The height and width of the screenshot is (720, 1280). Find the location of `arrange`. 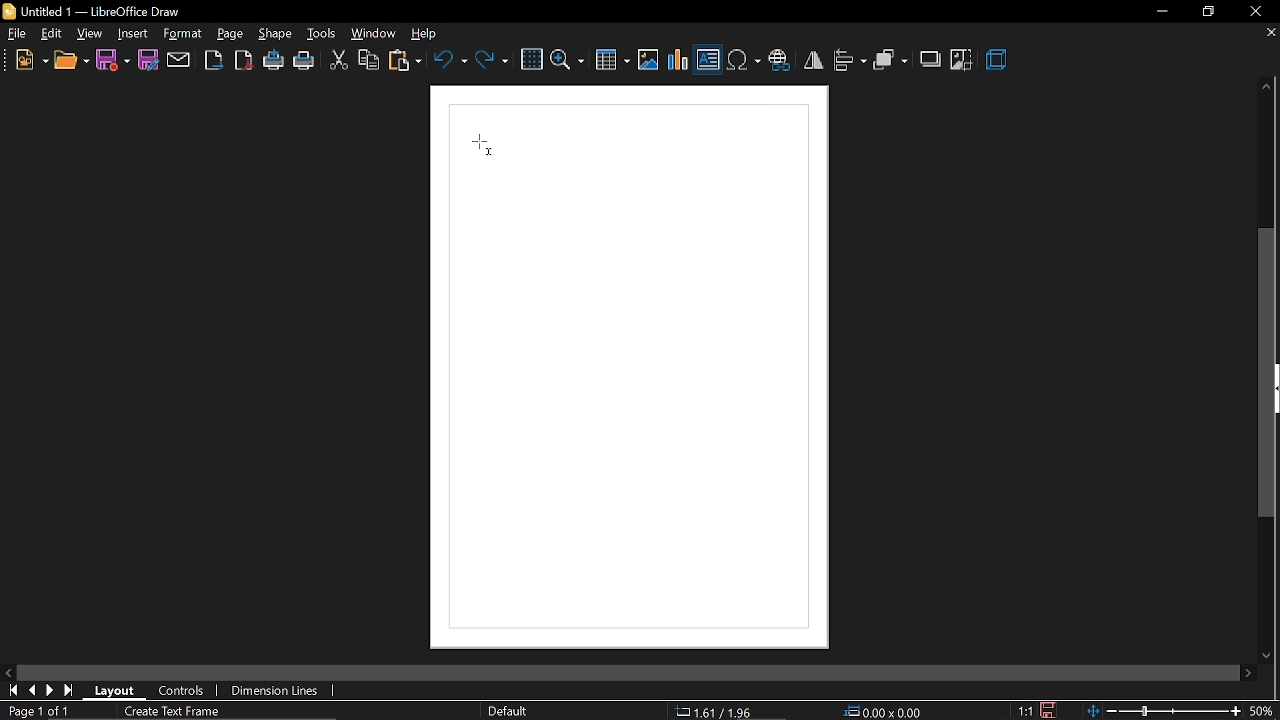

arrange is located at coordinates (891, 62).